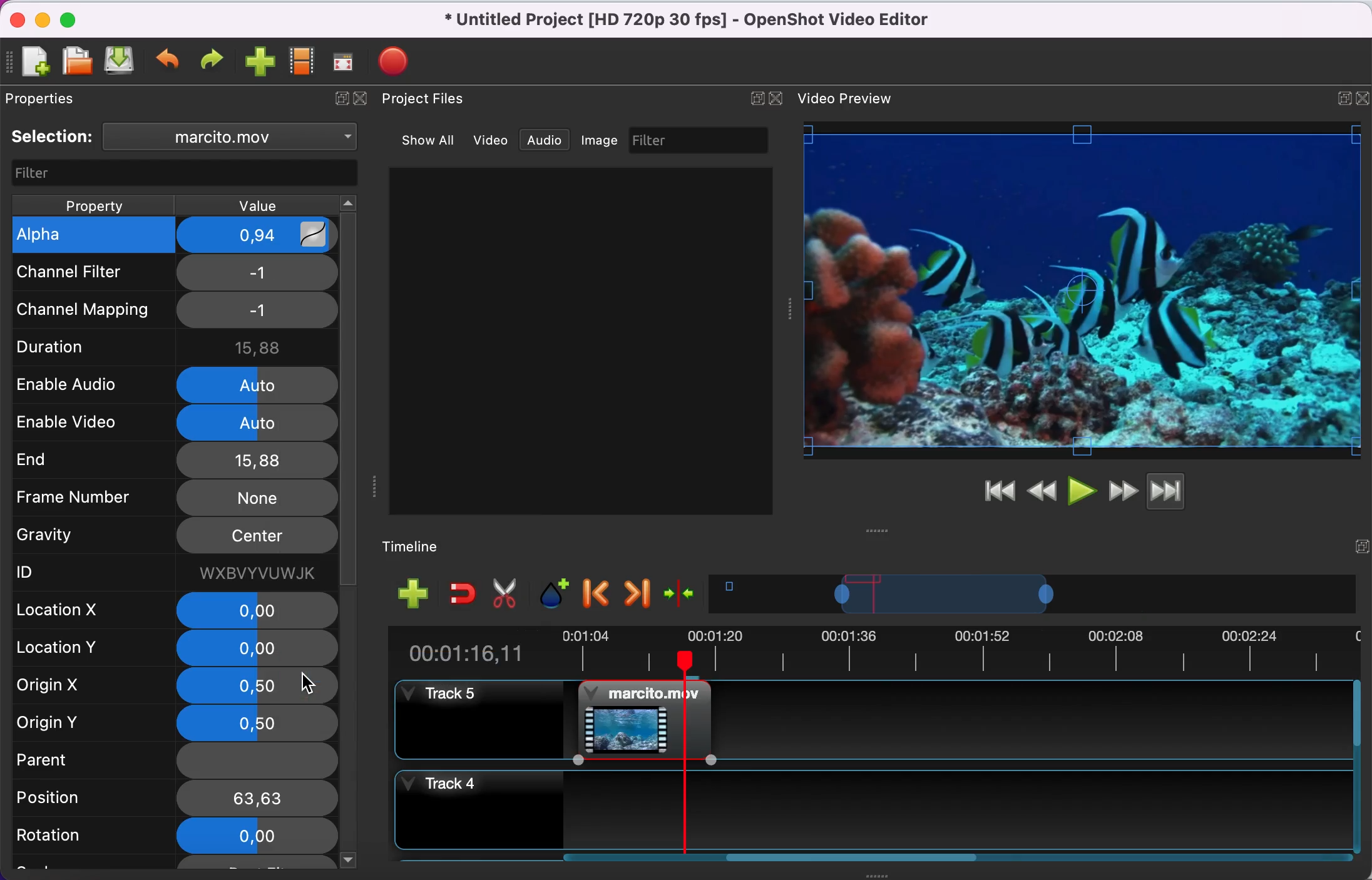  What do you see at coordinates (851, 100) in the screenshot?
I see `video preview` at bounding box center [851, 100].